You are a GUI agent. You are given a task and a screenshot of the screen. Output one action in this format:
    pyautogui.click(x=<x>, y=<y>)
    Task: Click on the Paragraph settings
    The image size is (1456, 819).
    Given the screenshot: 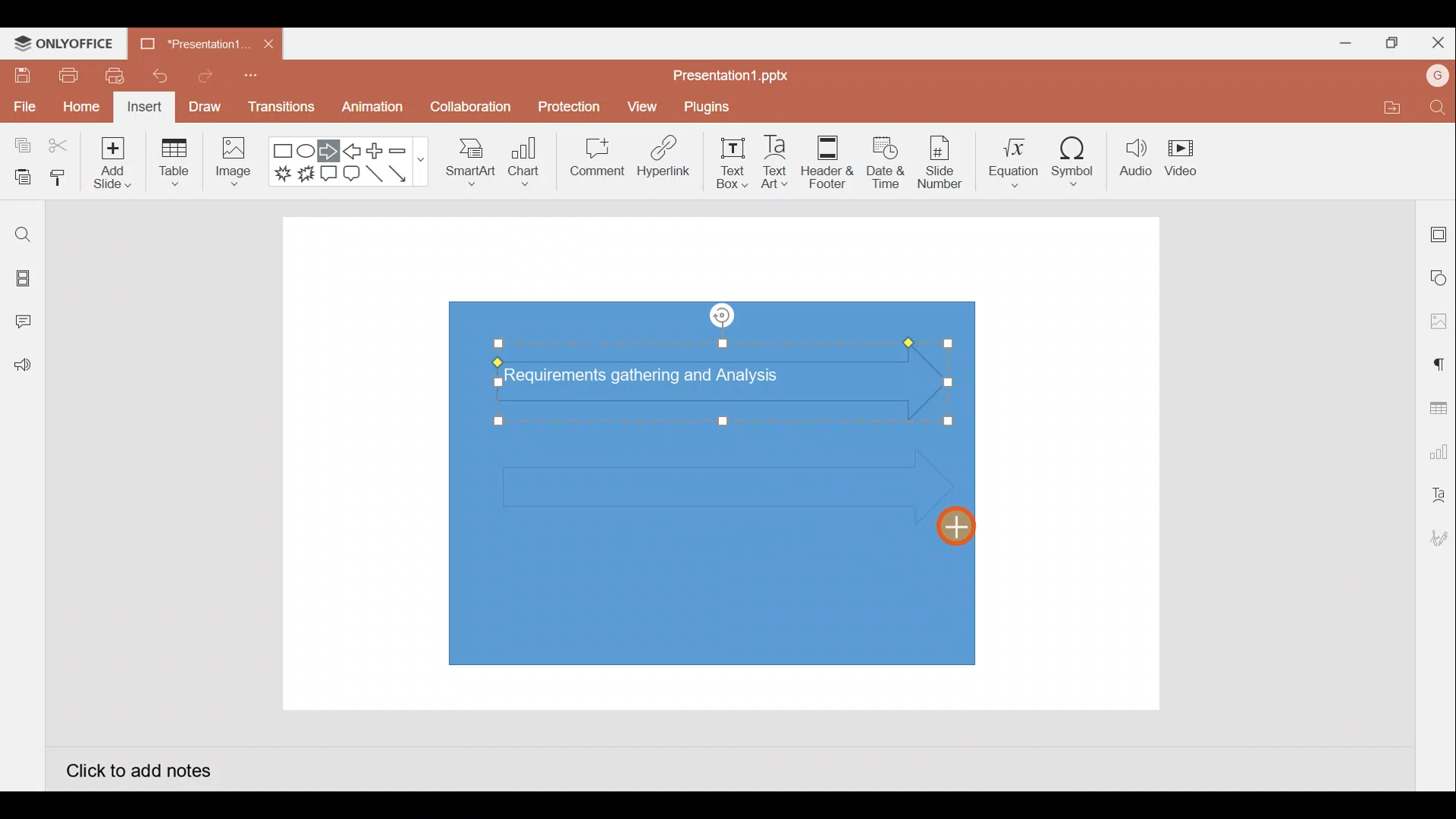 What is the action you would take?
    pyautogui.click(x=1438, y=362)
    